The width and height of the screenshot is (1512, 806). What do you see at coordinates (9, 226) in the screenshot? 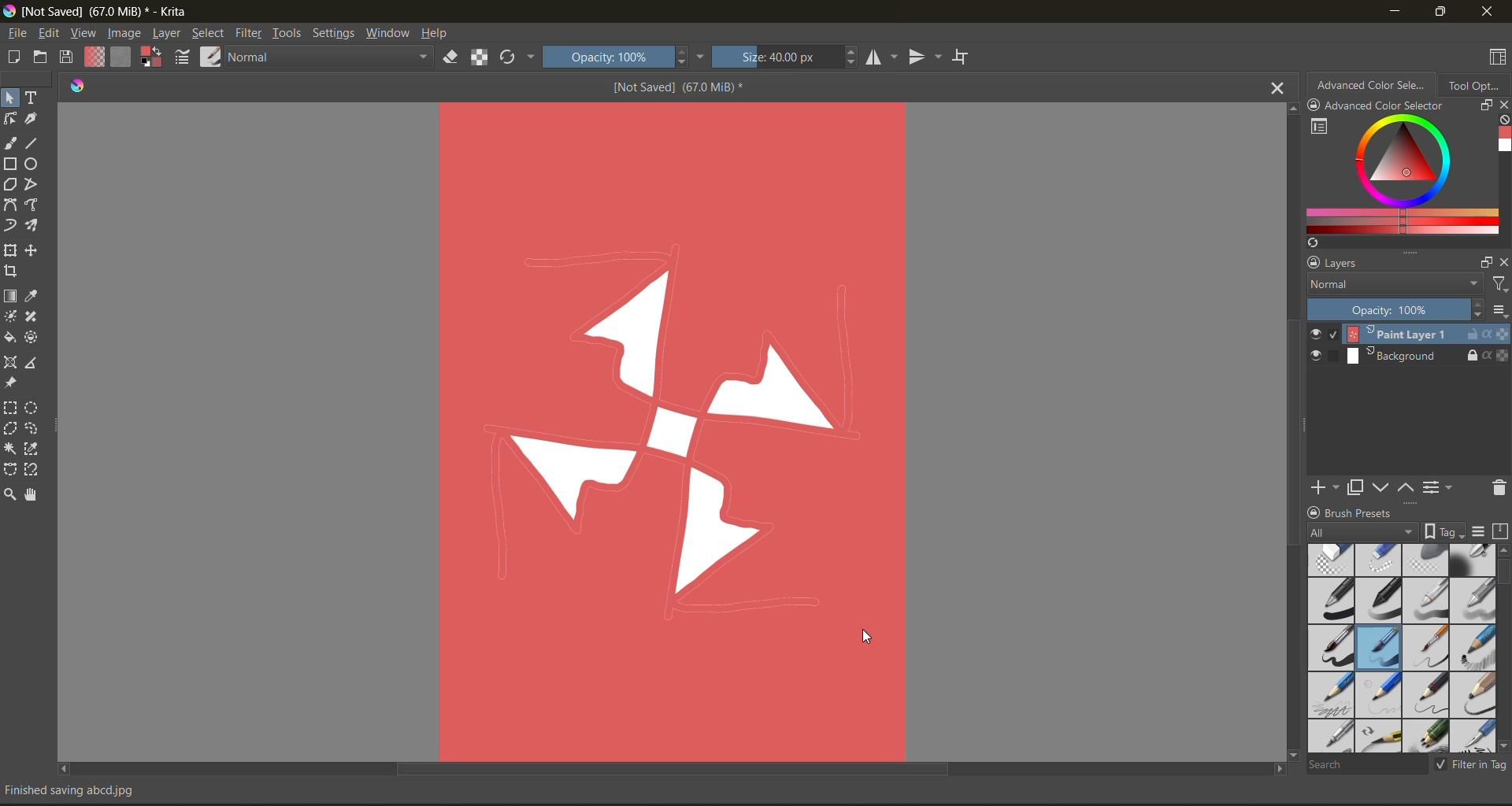
I see `tools` at bounding box center [9, 226].